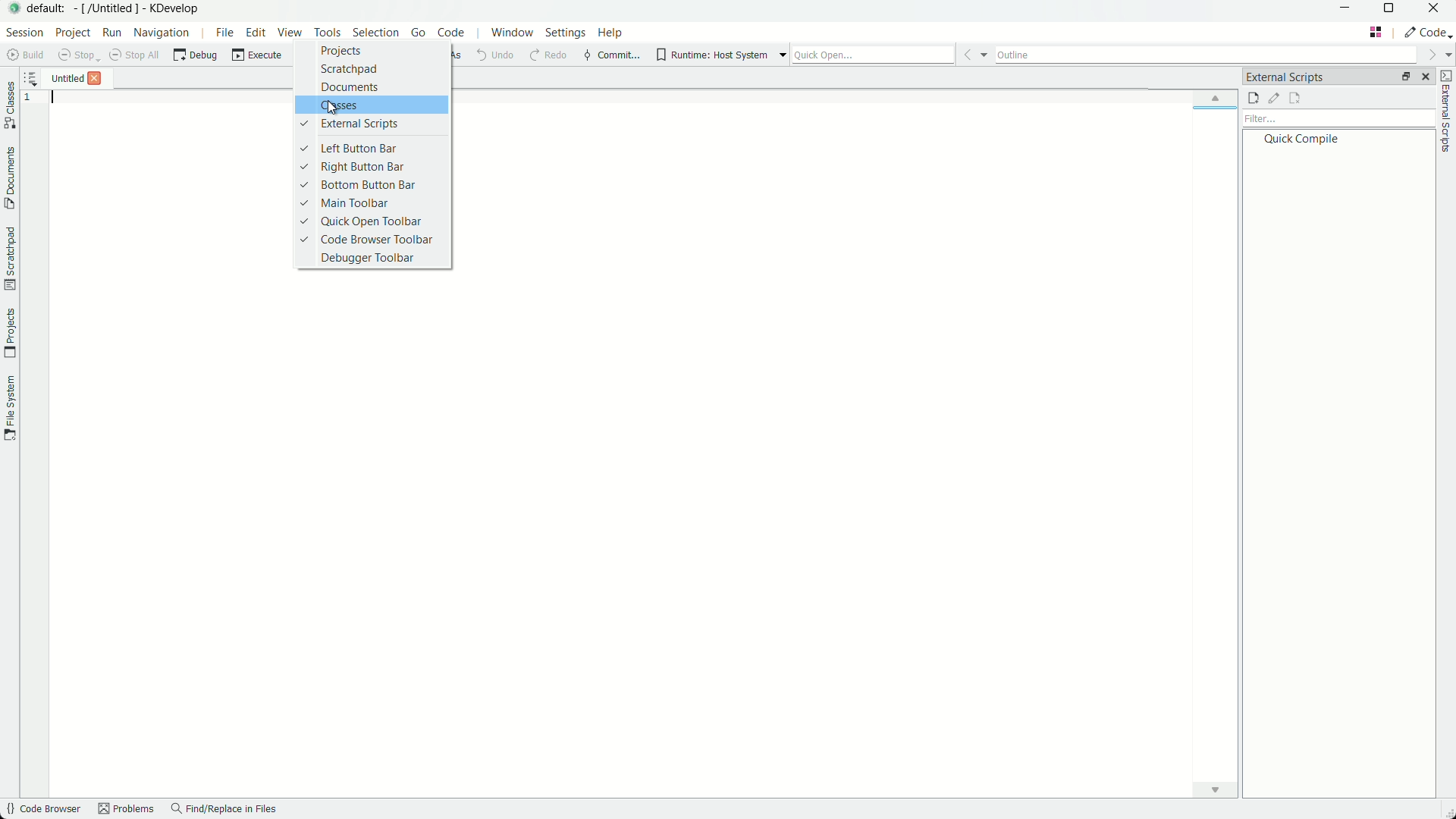 This screenshot has height=819, width=1456. I want to click on 1, so click(30, 100).